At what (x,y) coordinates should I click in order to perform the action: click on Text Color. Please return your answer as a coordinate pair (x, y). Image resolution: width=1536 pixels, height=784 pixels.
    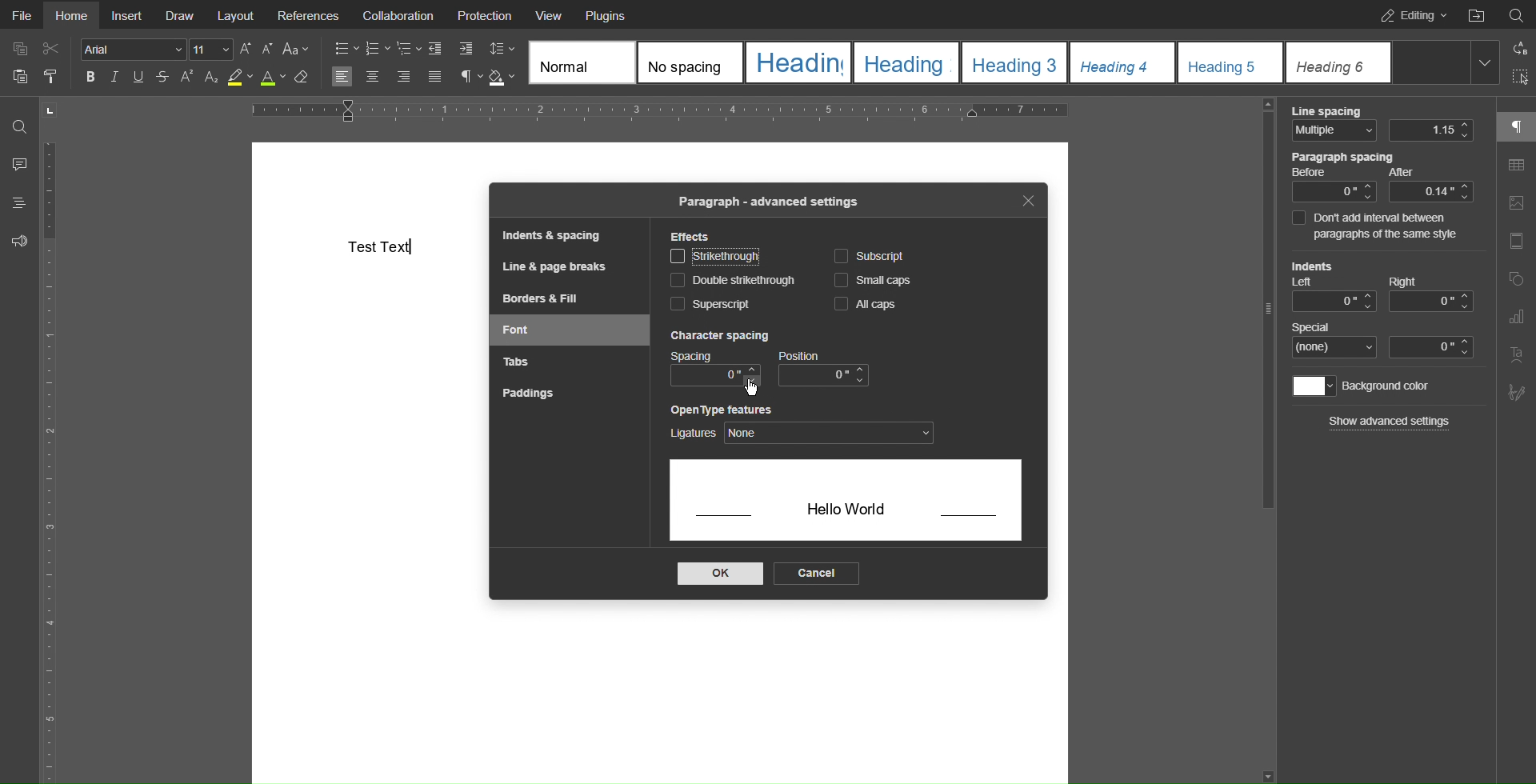
    Looking at the image, I should click on (273, 78).